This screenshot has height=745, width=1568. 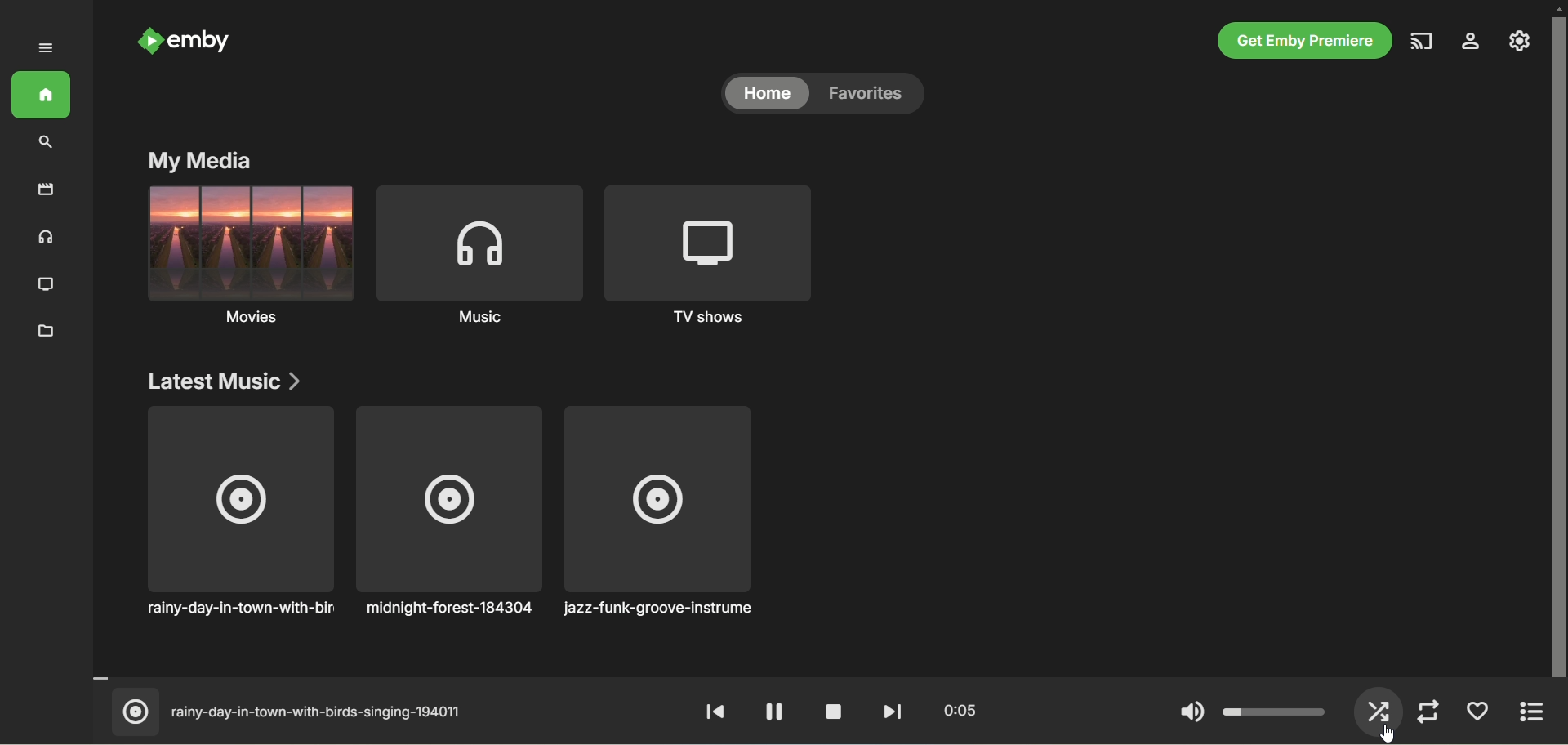 I want to click on jazz-funk-groove-instrument, so click(x=663, y=511).